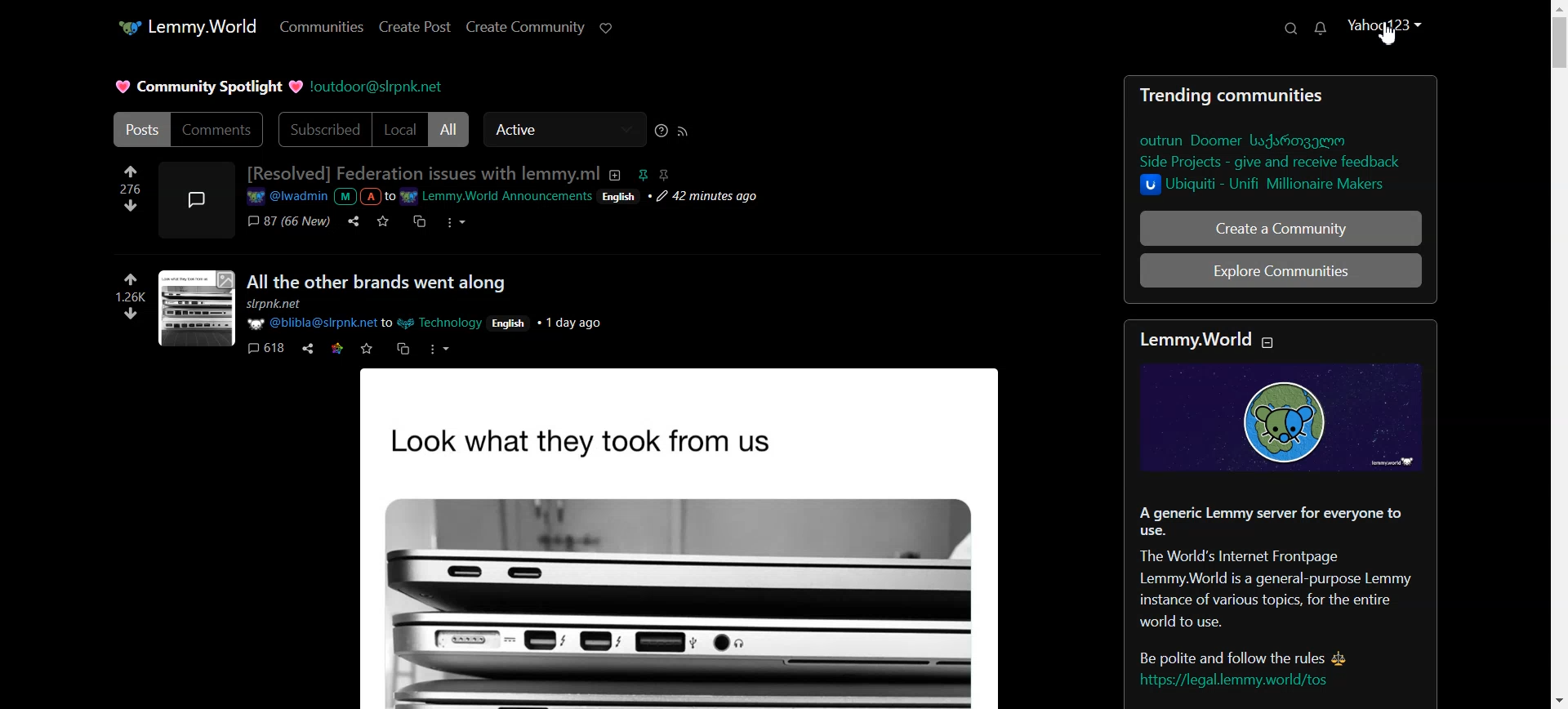 The image size is (1568, 709). Describe the element at coordinates (448, 129) in the screenshot. I see `All` at that location.